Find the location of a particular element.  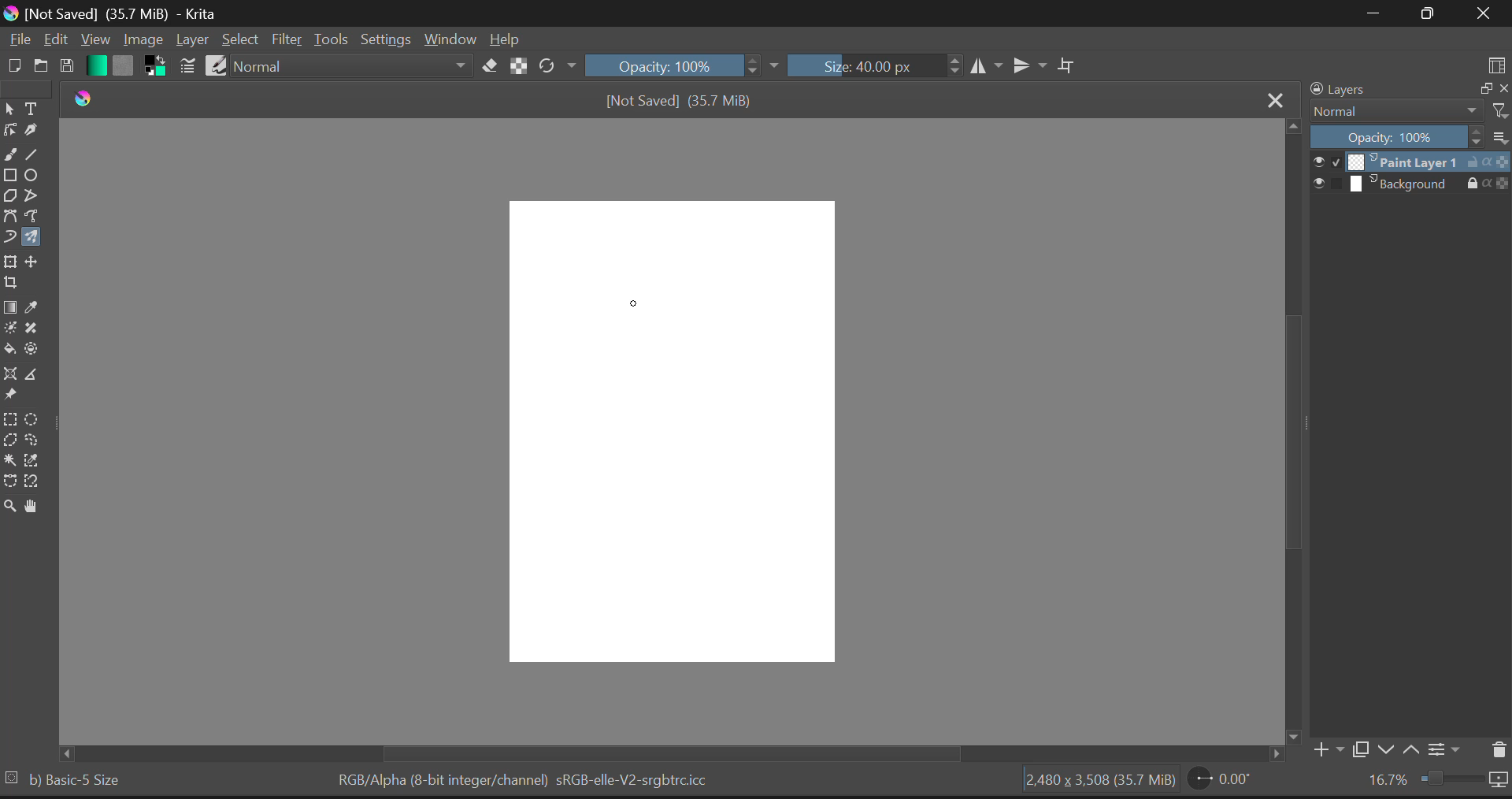

Colorize Mask Tool is located at coordinates (9, 330).